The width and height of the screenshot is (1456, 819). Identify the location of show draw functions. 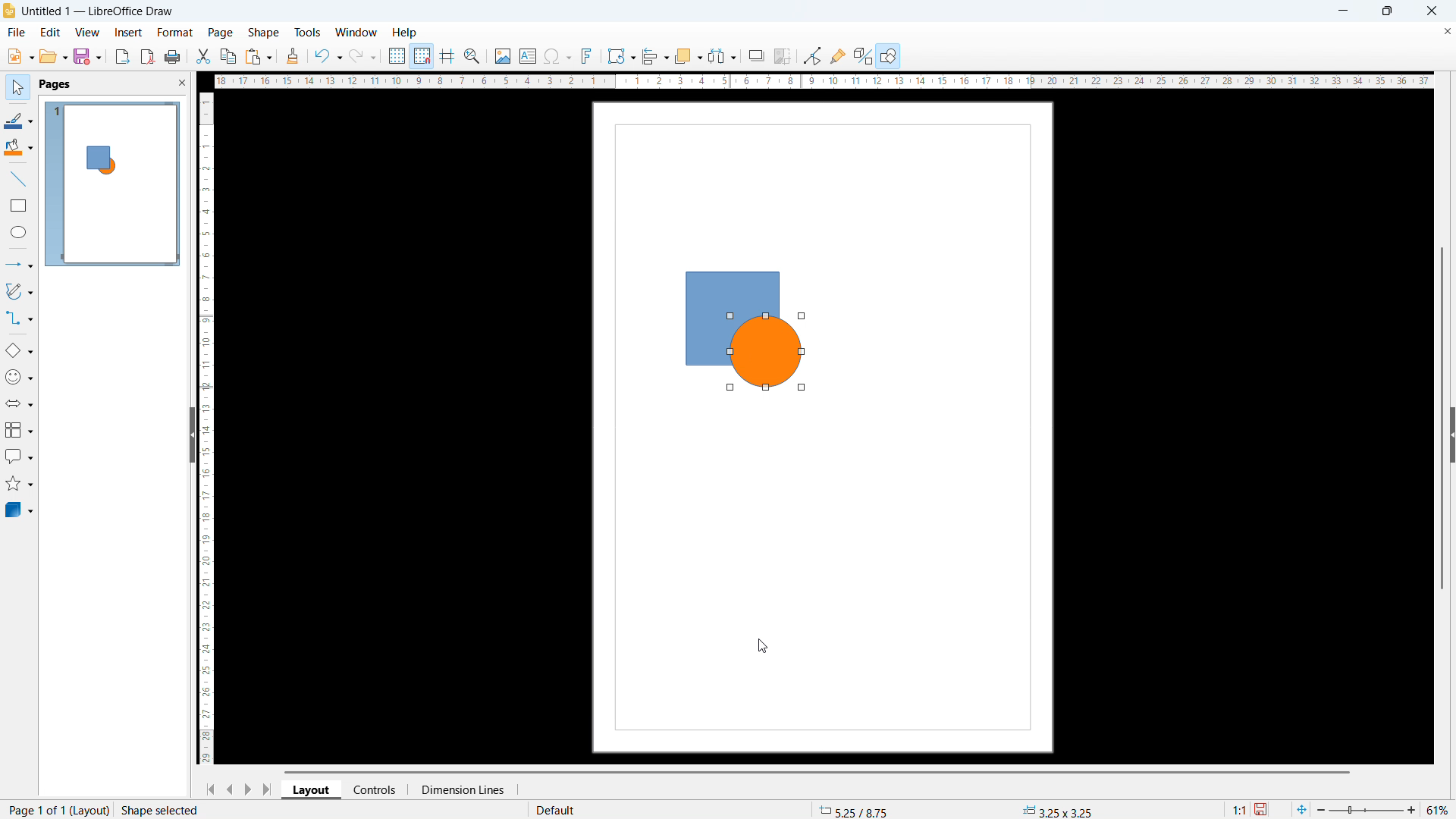
(888, 56).